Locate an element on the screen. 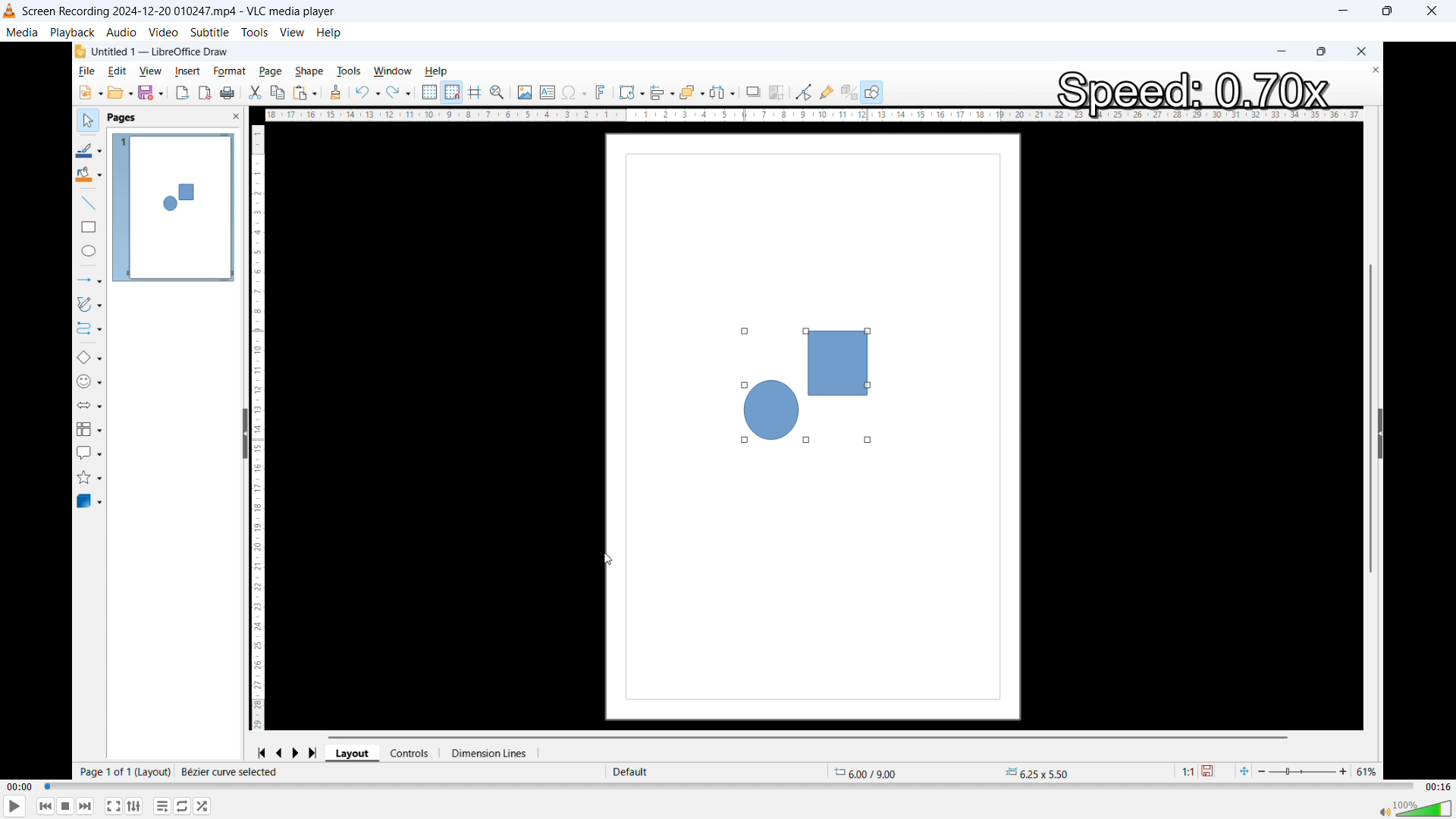  Full screen  is located at coordinates (114, 805).